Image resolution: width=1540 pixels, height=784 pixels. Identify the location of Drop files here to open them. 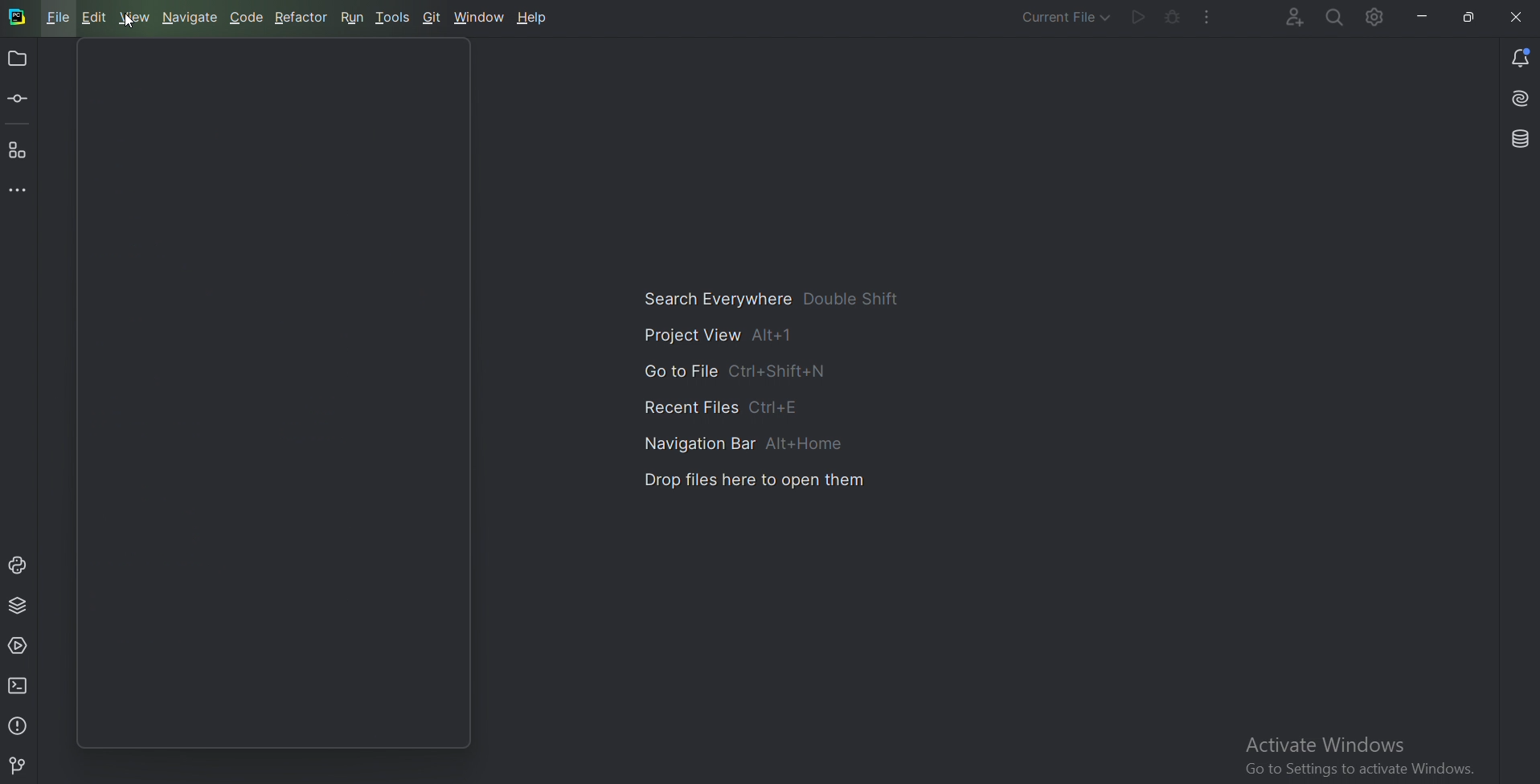
(754, 484).